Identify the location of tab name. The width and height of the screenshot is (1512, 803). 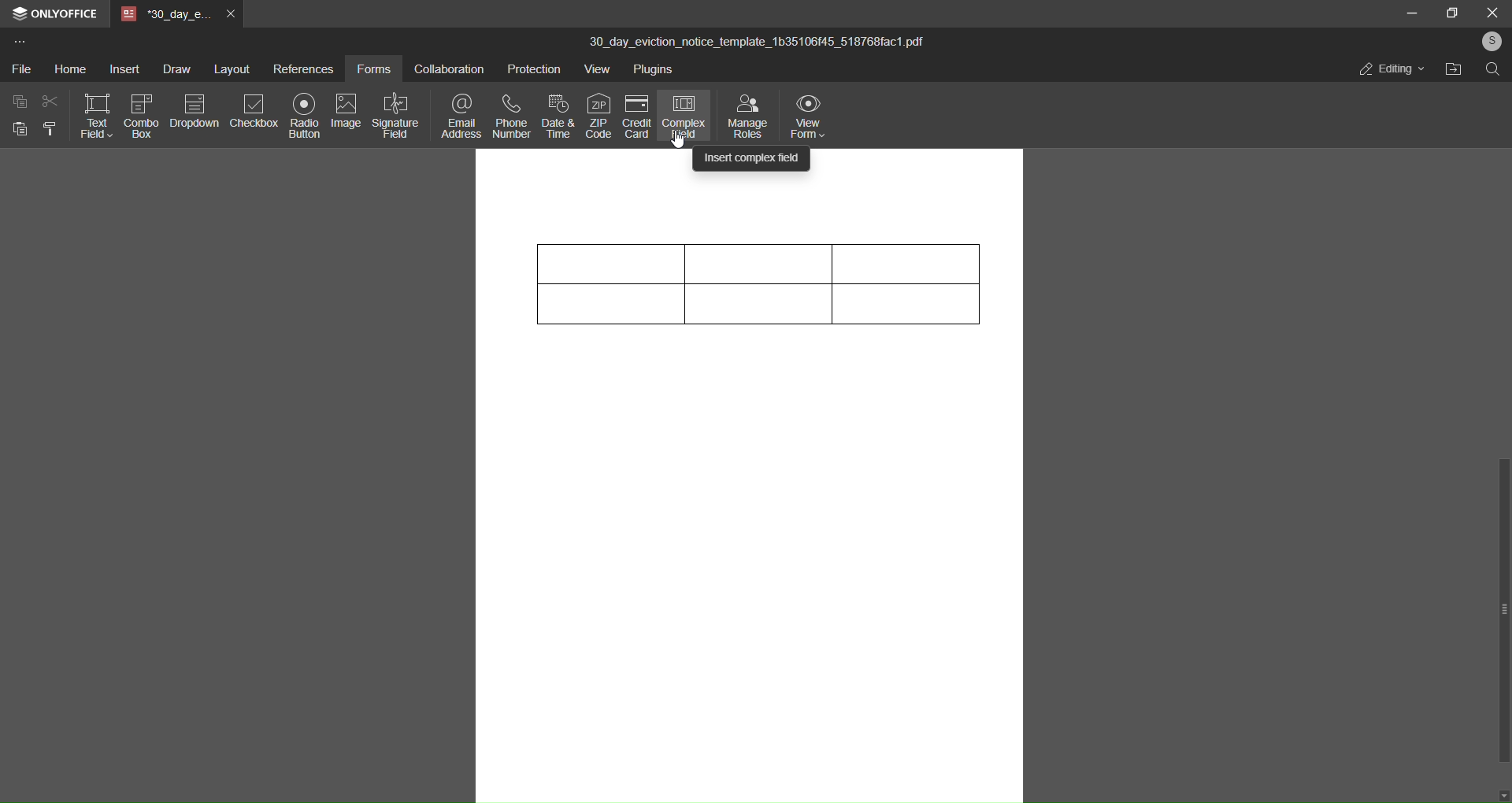
(166, 14).